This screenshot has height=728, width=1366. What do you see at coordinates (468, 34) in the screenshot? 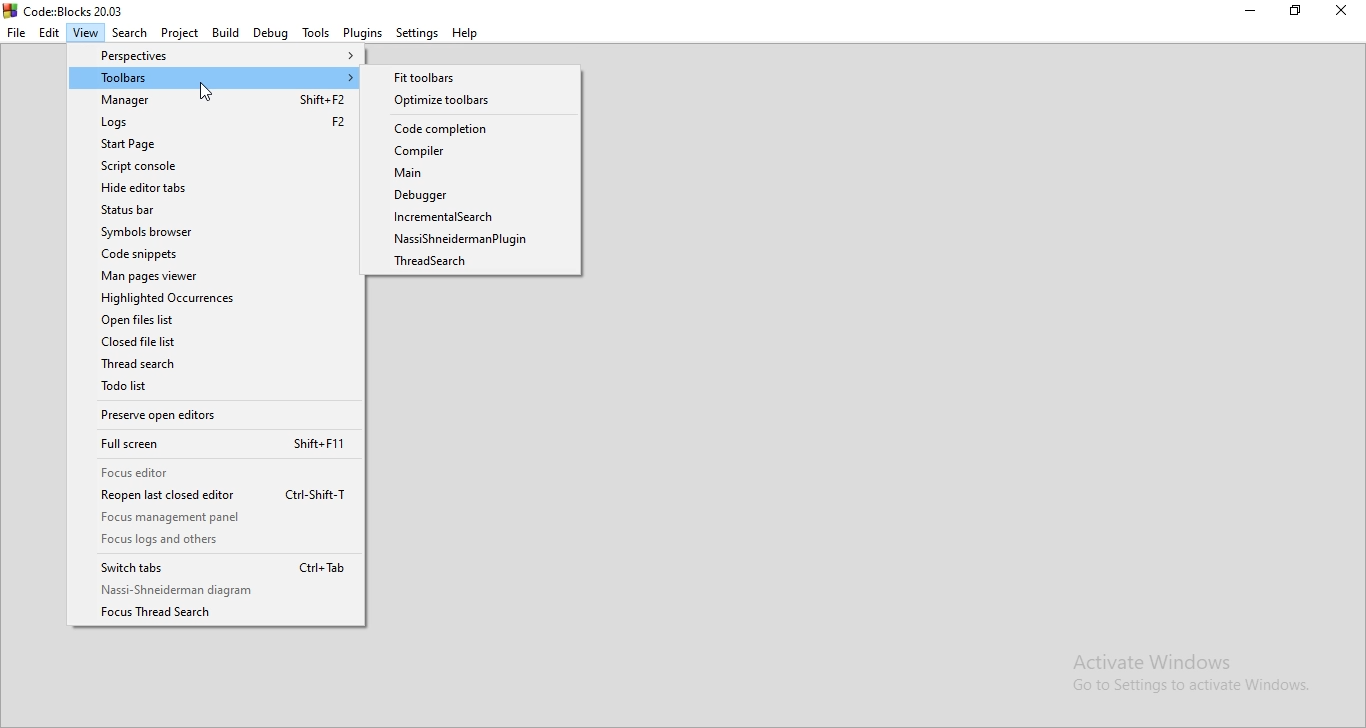
I see `Help` at bounding box center [468, 34].